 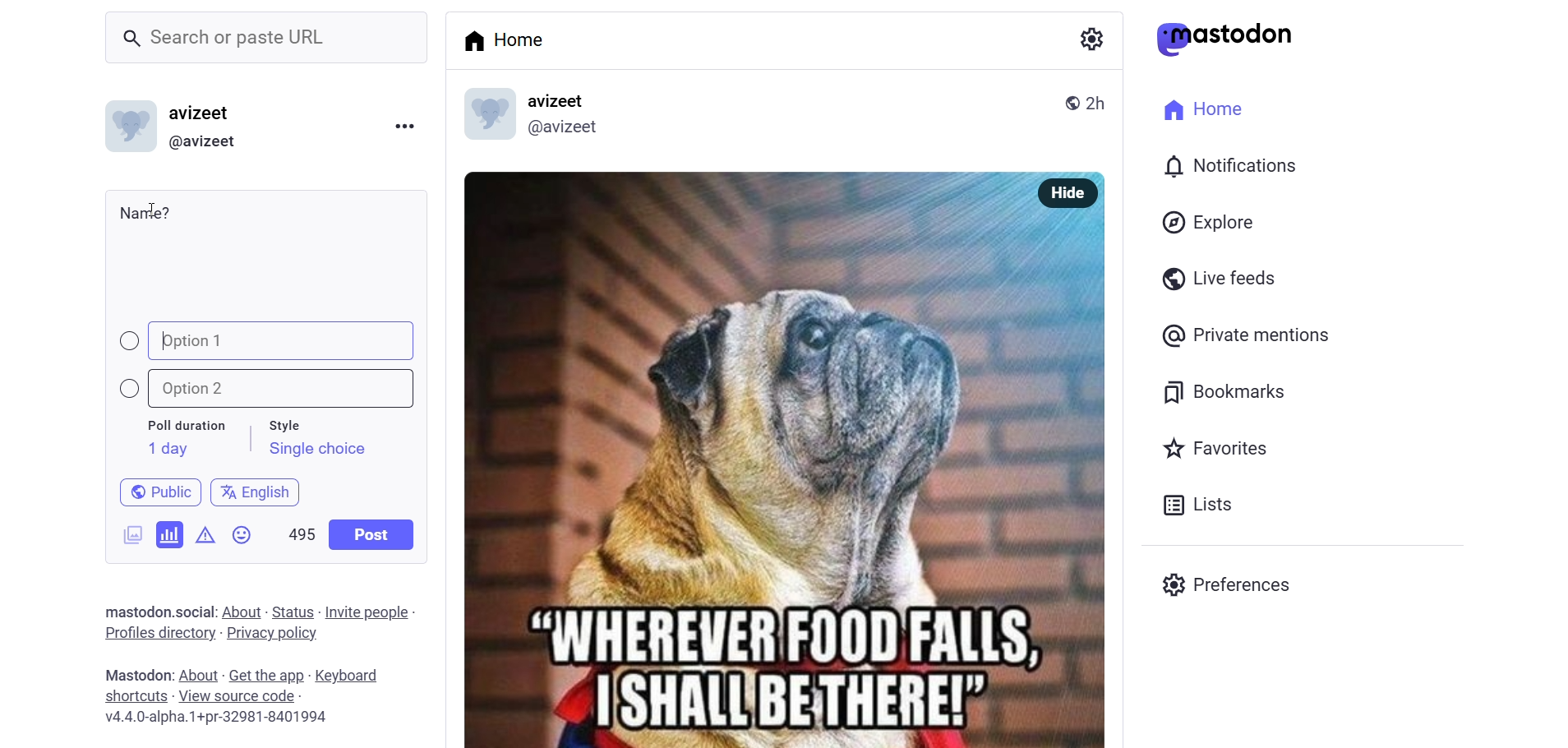 I want to click on emoji, so click(x=243, y=538).